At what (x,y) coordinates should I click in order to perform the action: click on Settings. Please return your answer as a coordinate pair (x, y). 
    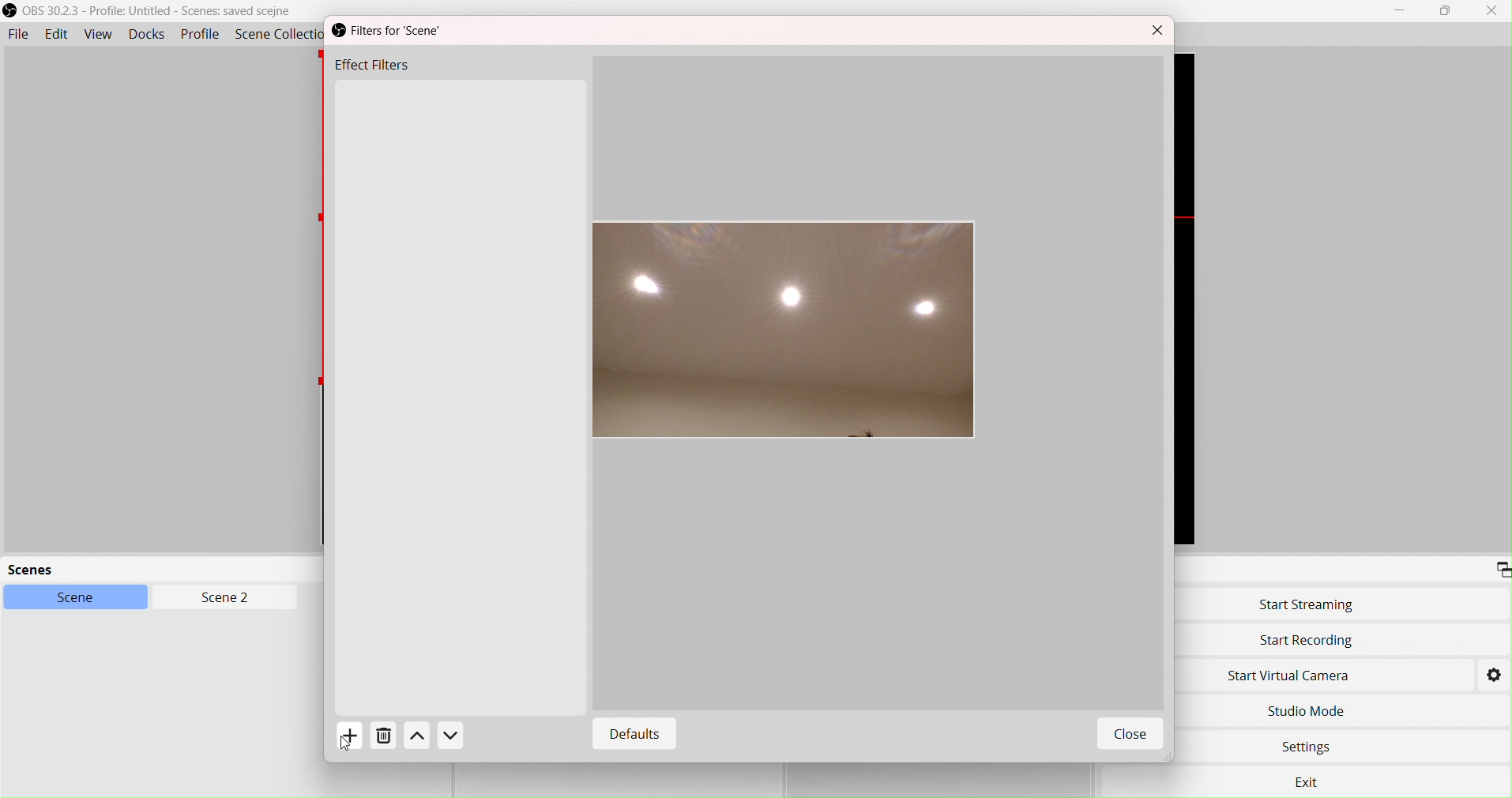
    Looking at the image, I should click on (1310, 749).